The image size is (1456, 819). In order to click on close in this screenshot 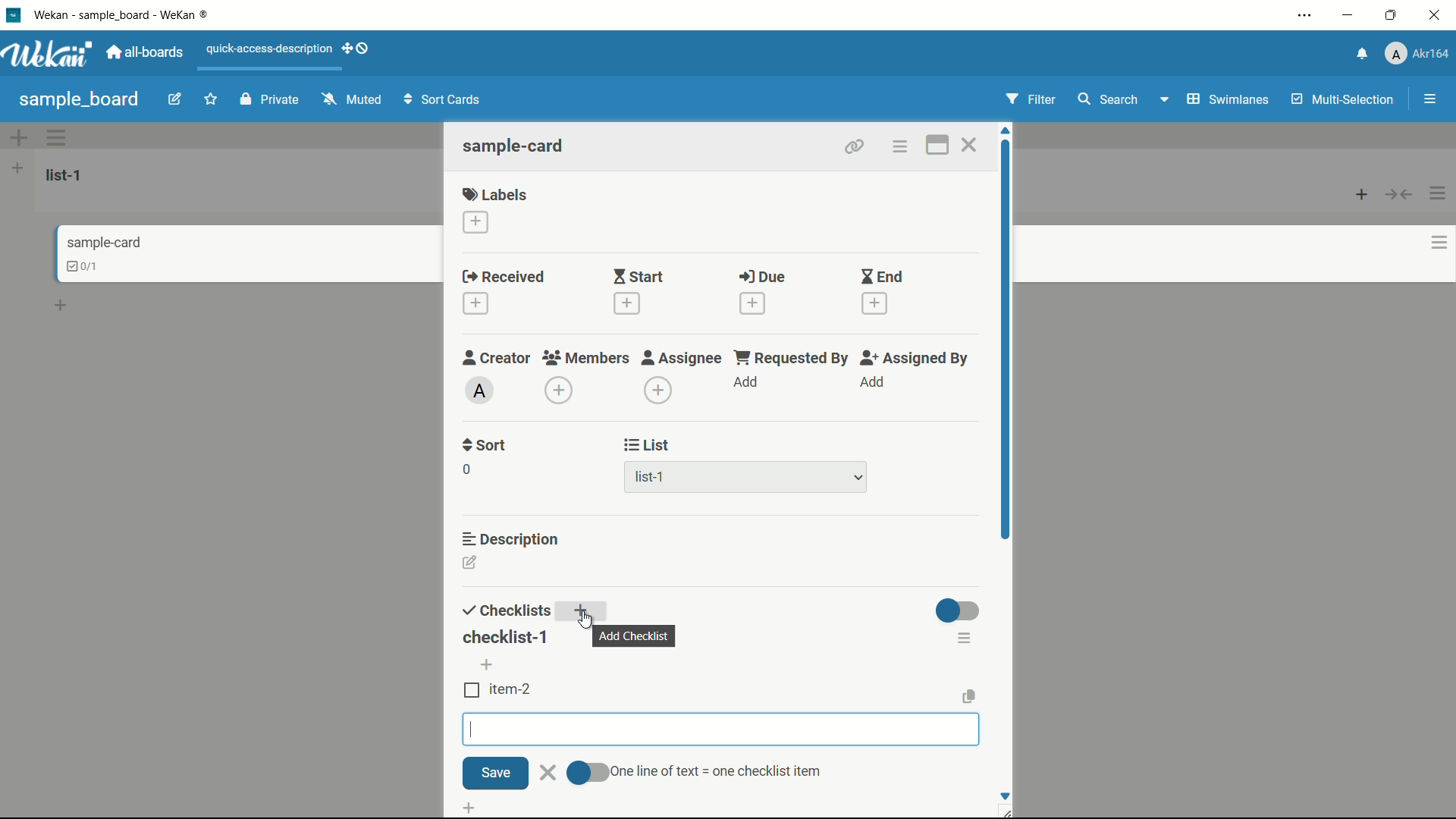, I will do `click(549, 772)`.